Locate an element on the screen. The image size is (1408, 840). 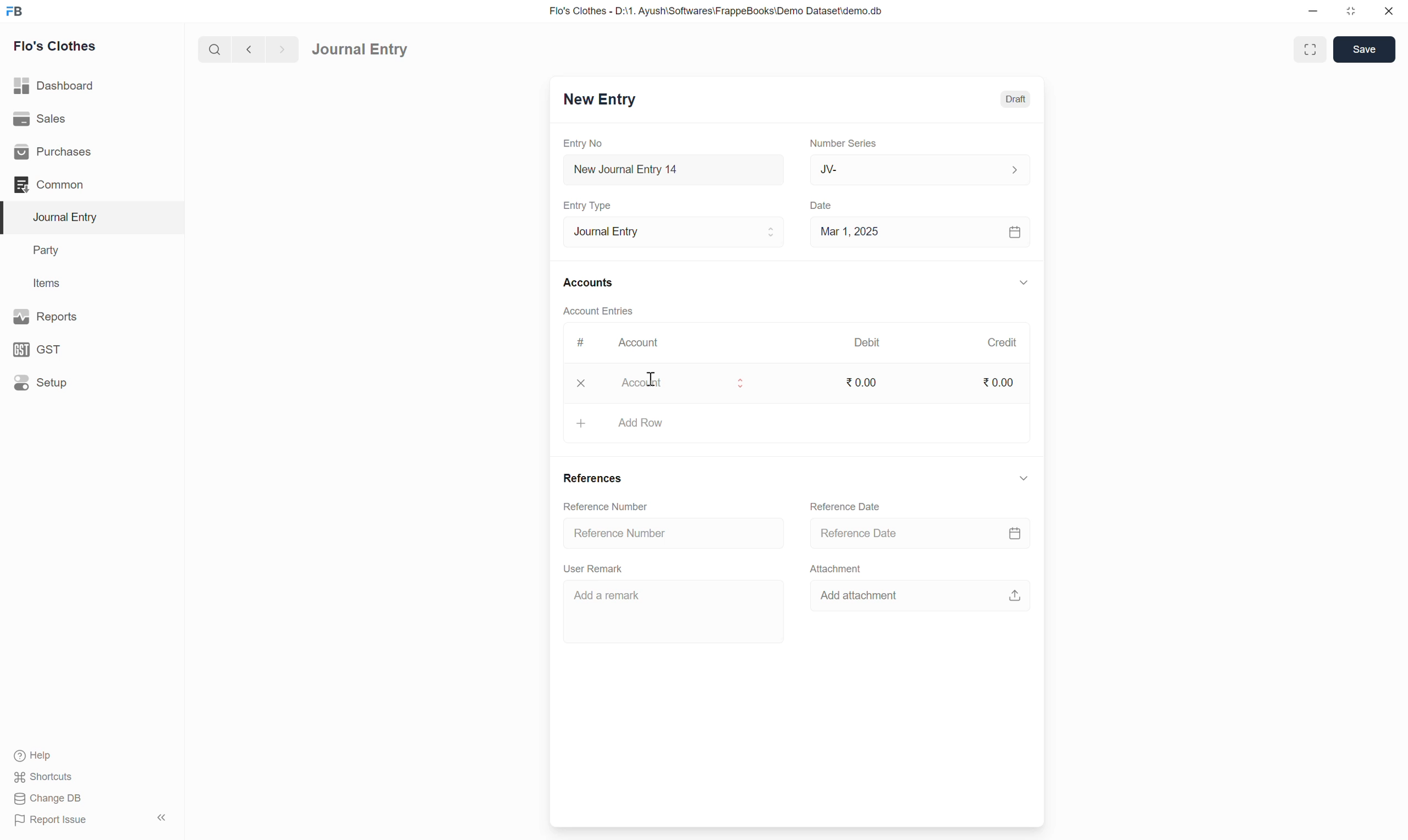
Number Series is located at coordinates (844, 142).